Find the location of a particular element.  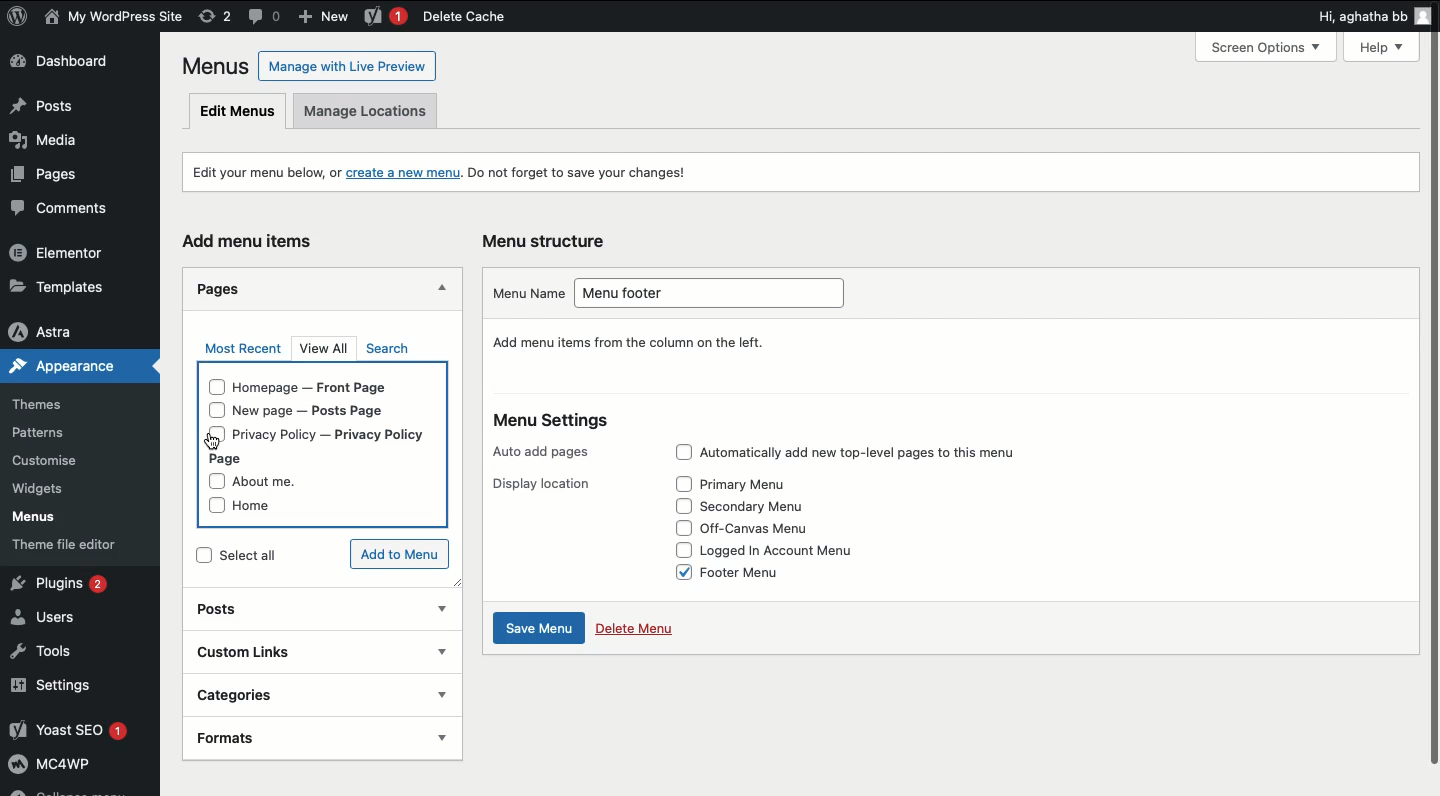

Edit menus is located at coordinates (238, 112).